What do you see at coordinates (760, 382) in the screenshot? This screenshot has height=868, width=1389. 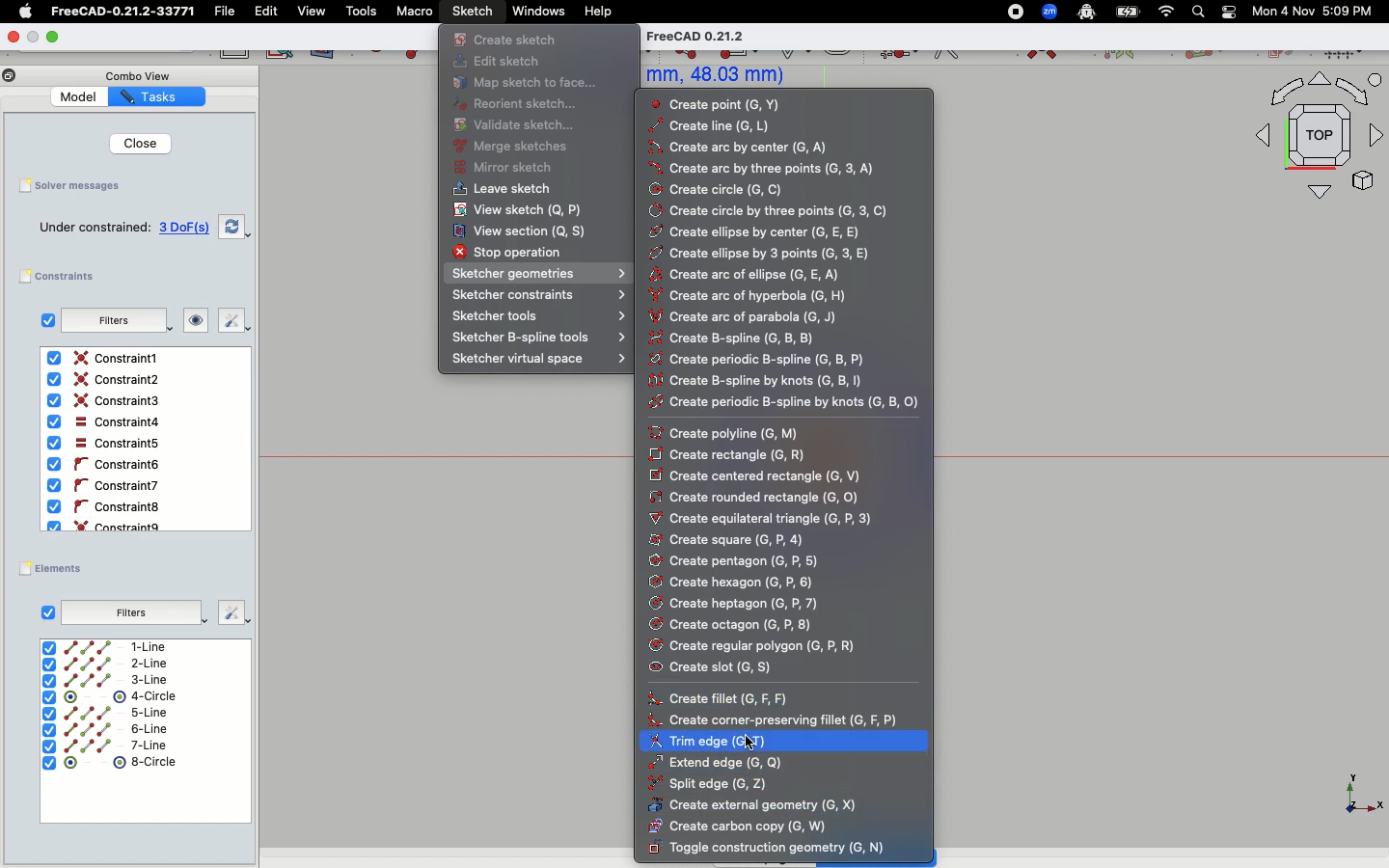 I see `Create b-spline by knots` at bounding box center [760, 382].